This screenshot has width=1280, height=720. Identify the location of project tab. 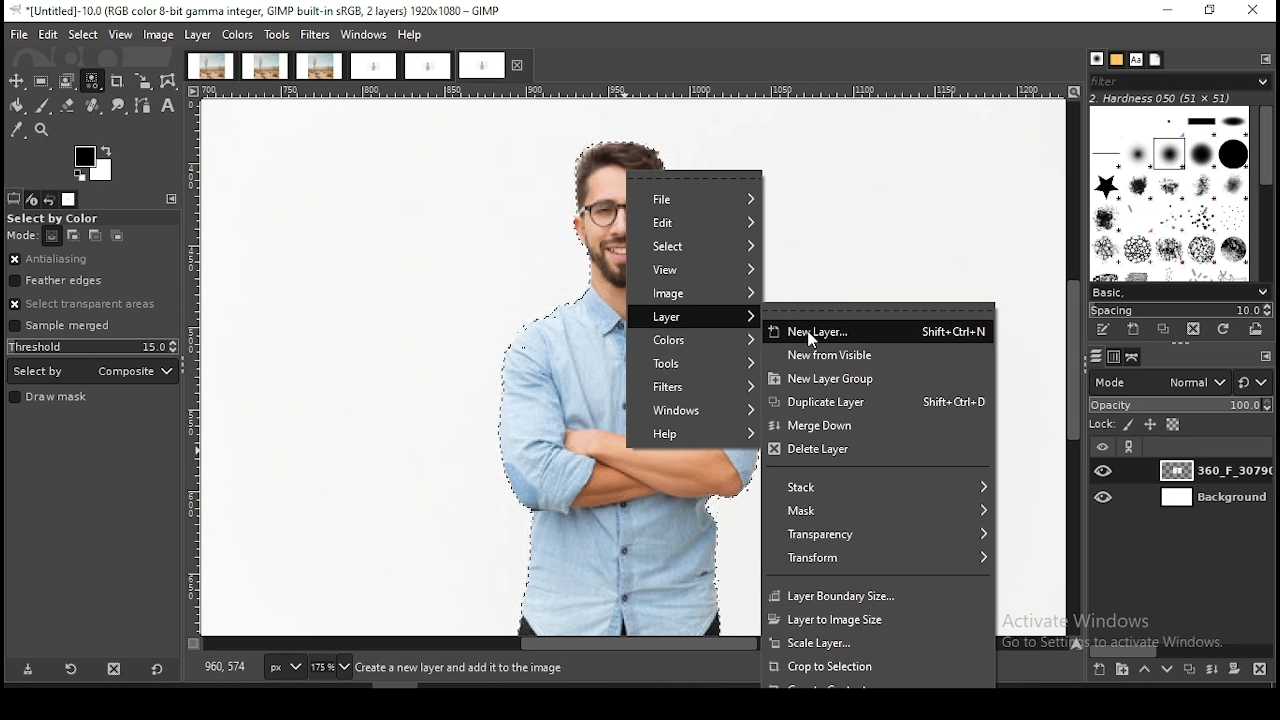
(266, 66).